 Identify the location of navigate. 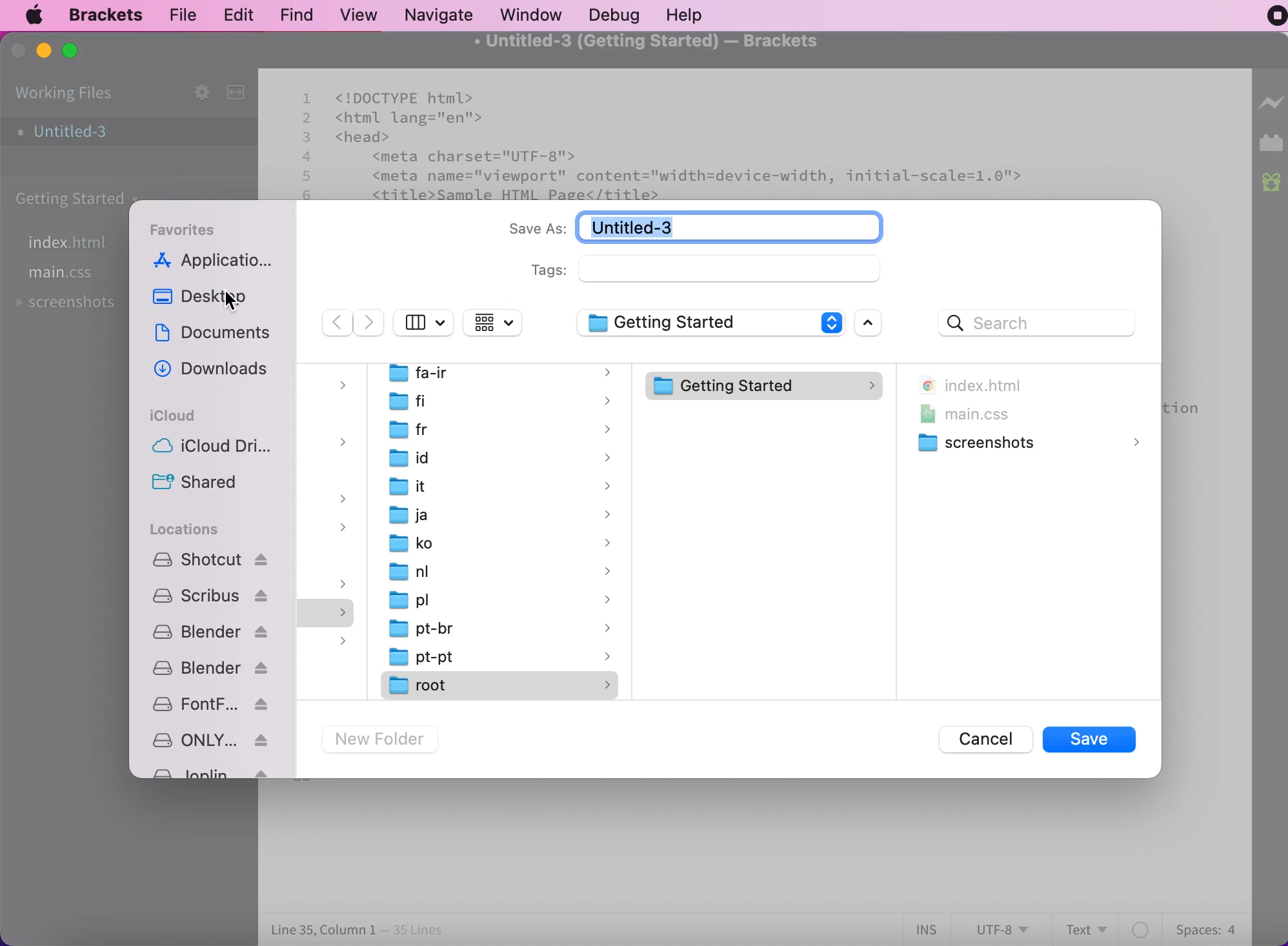
(443, 14).